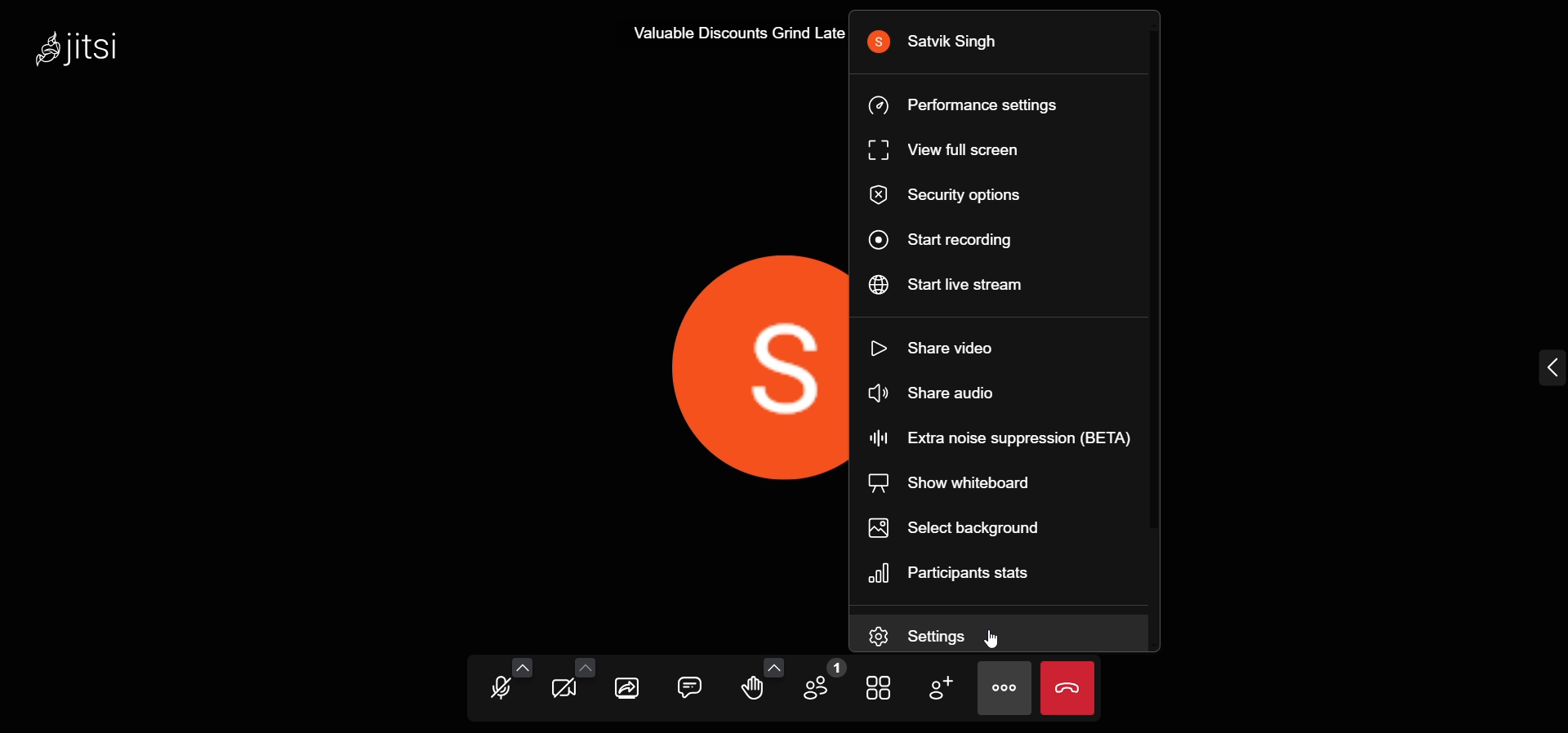  Describe the element at coordinates (754, 691) in the screenshot. I see `raise hand` at that location.